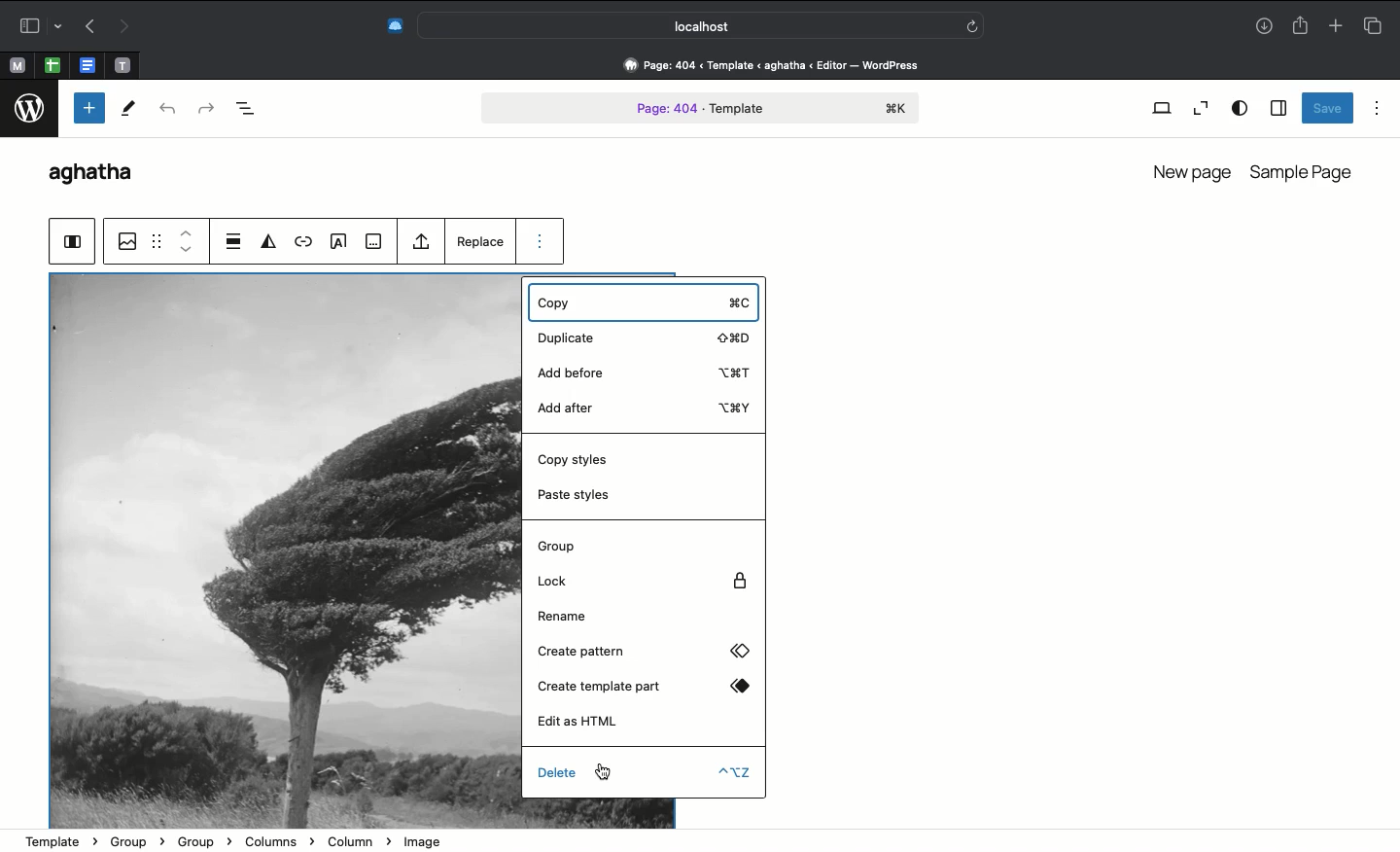 The width and height of the screenshot is (1400, 852). I want to click on Sidebar, so click(37, 25).